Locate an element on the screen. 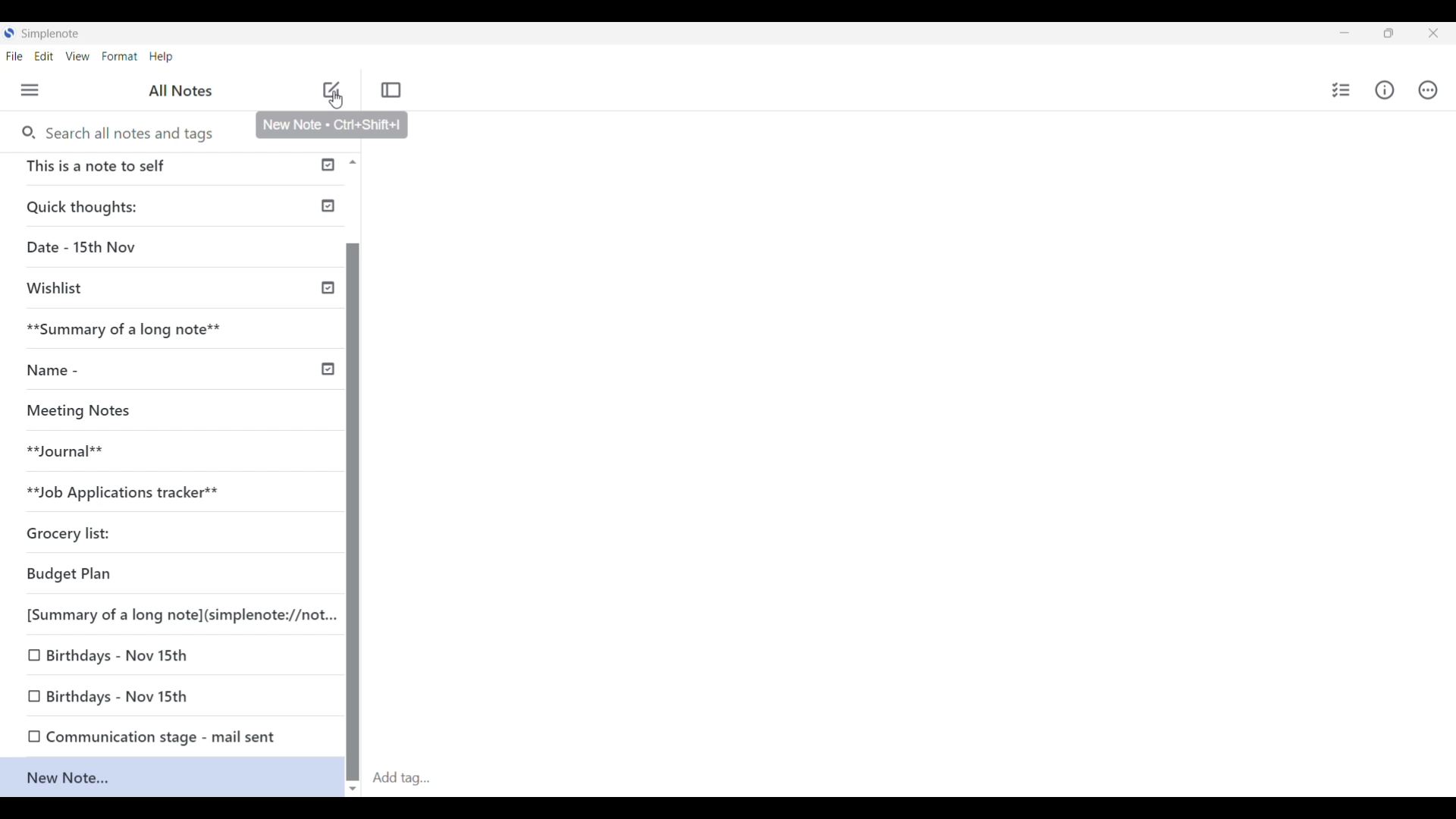  Wishlist is located at coordinates (126, 286).